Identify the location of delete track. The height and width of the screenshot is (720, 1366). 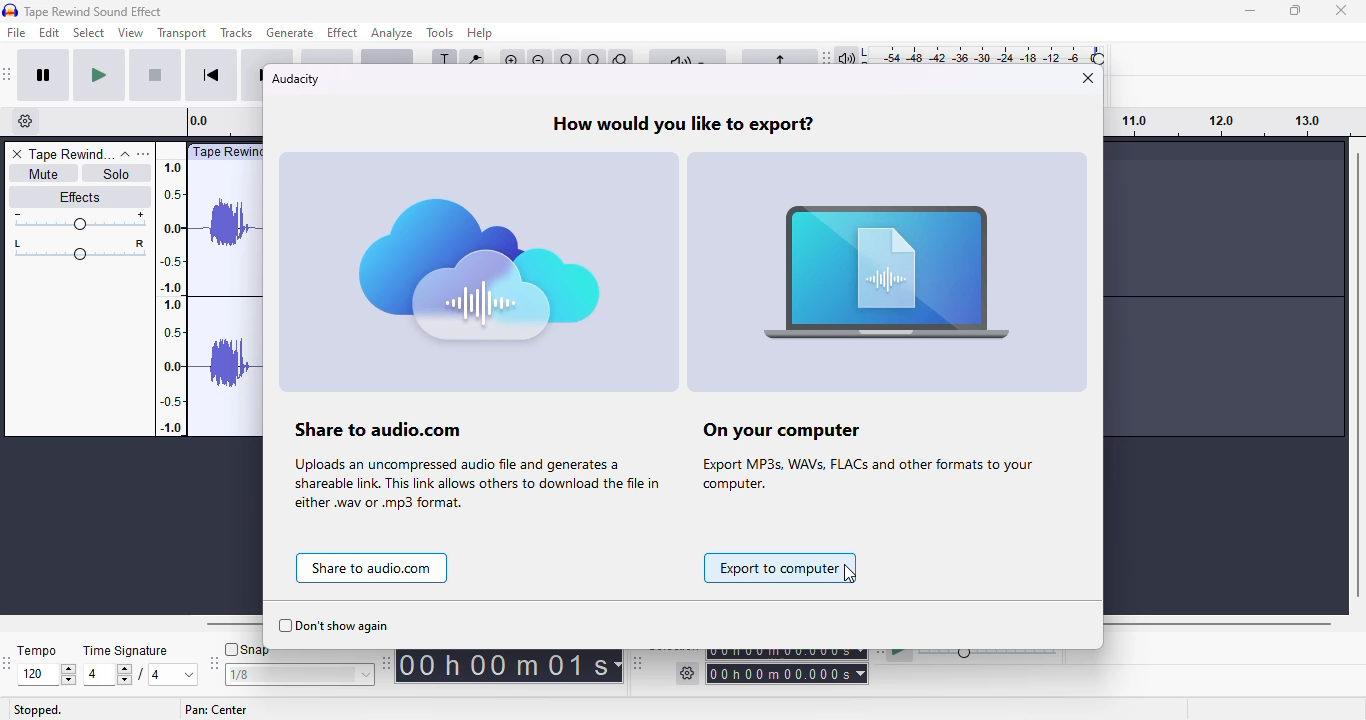
(15, 154).